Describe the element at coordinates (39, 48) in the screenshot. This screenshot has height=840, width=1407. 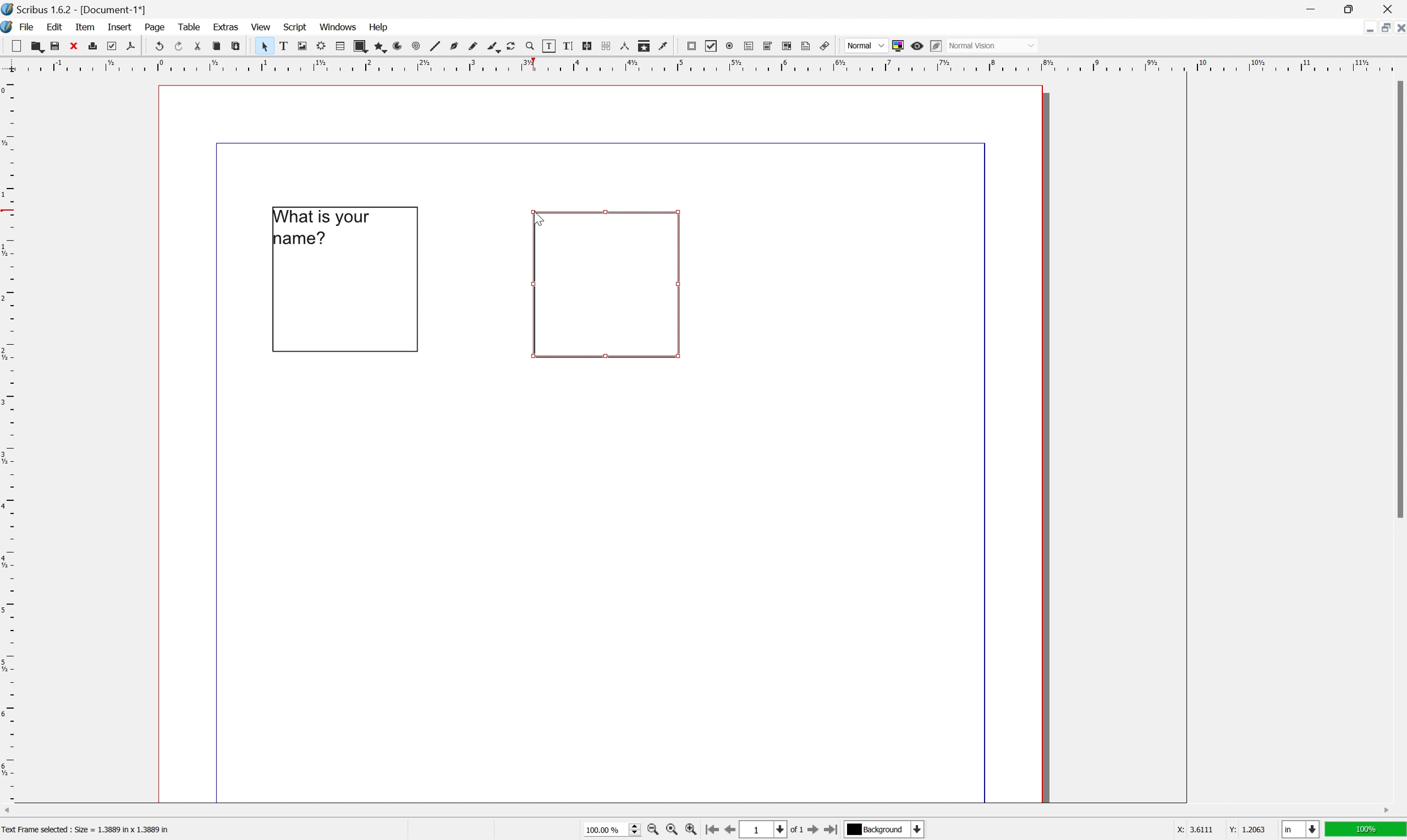
I see `open` at that location.